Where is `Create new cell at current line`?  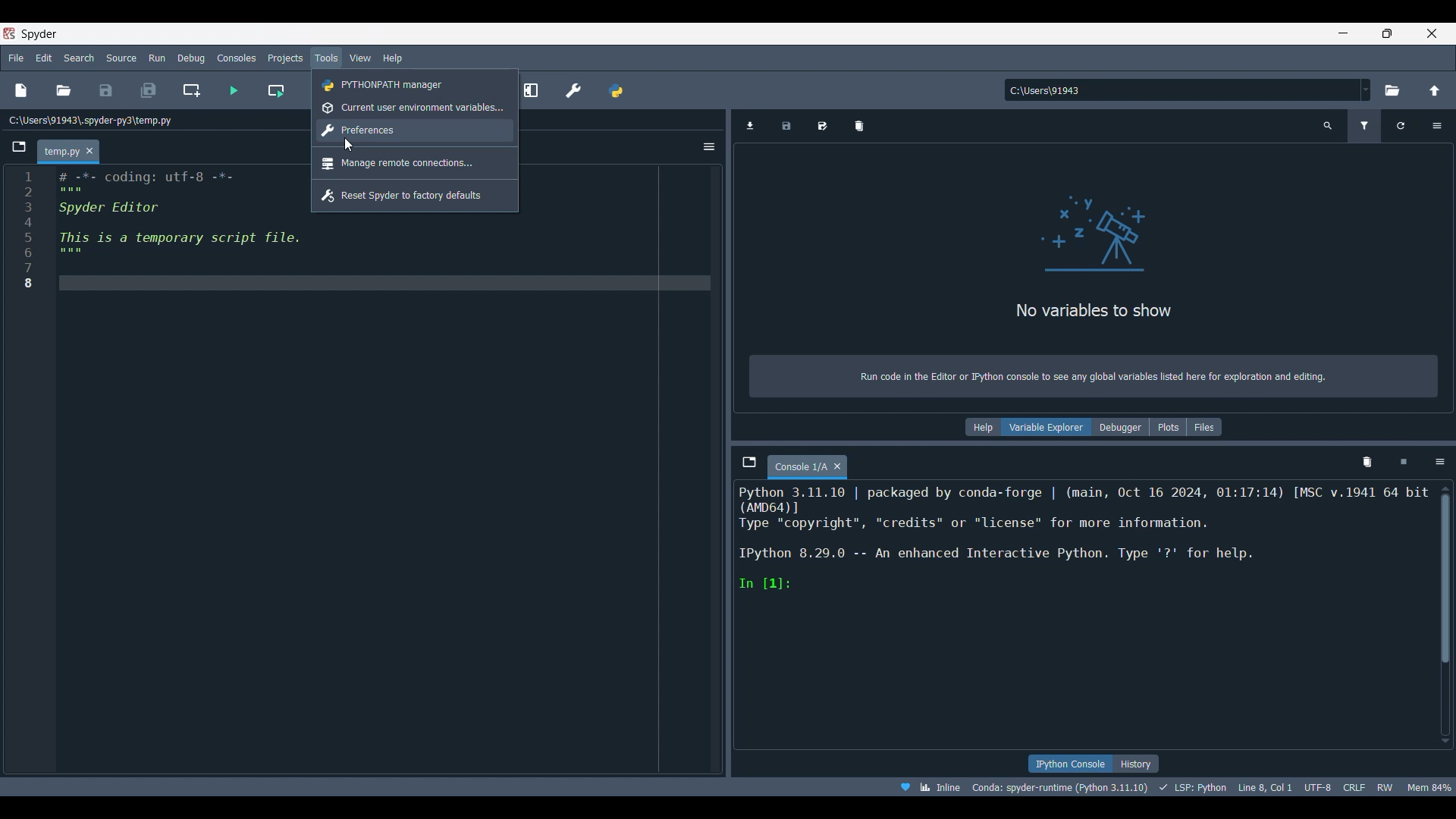
Create new cell at current line is located at coordinates (191, 91).